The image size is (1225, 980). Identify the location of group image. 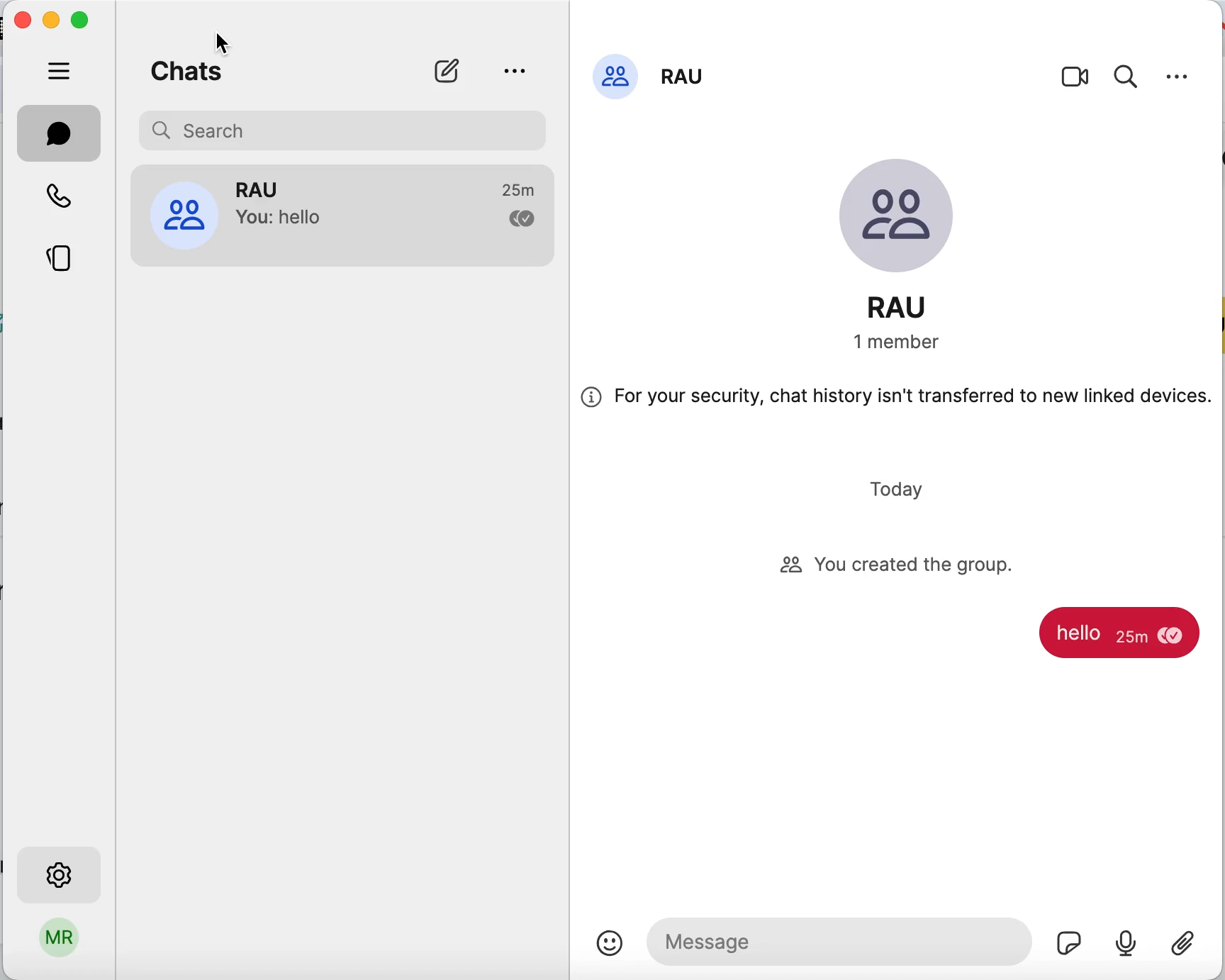
(902, 213).